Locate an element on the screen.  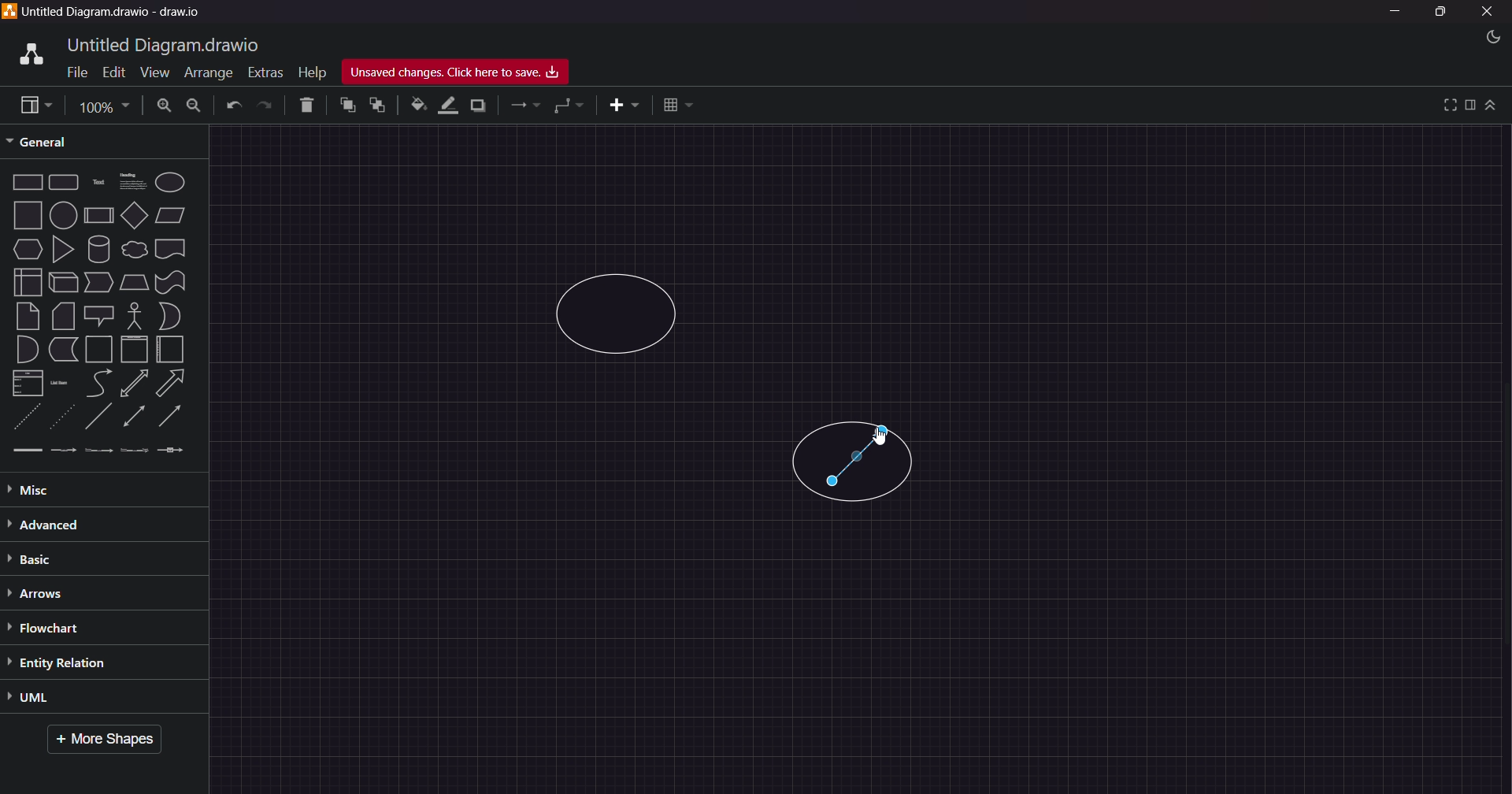
line color is located at coordinates (448, 105).